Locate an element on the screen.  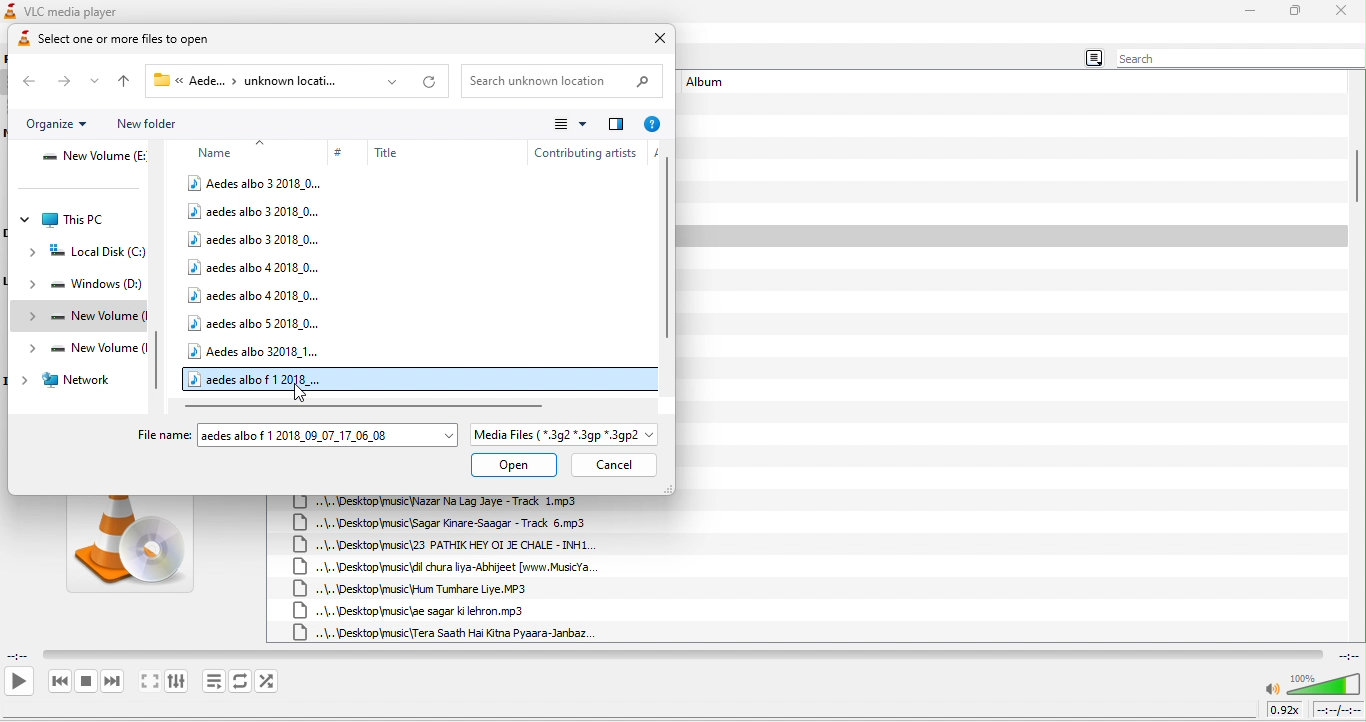
windows (D:) is located at coordinates (84, 287).